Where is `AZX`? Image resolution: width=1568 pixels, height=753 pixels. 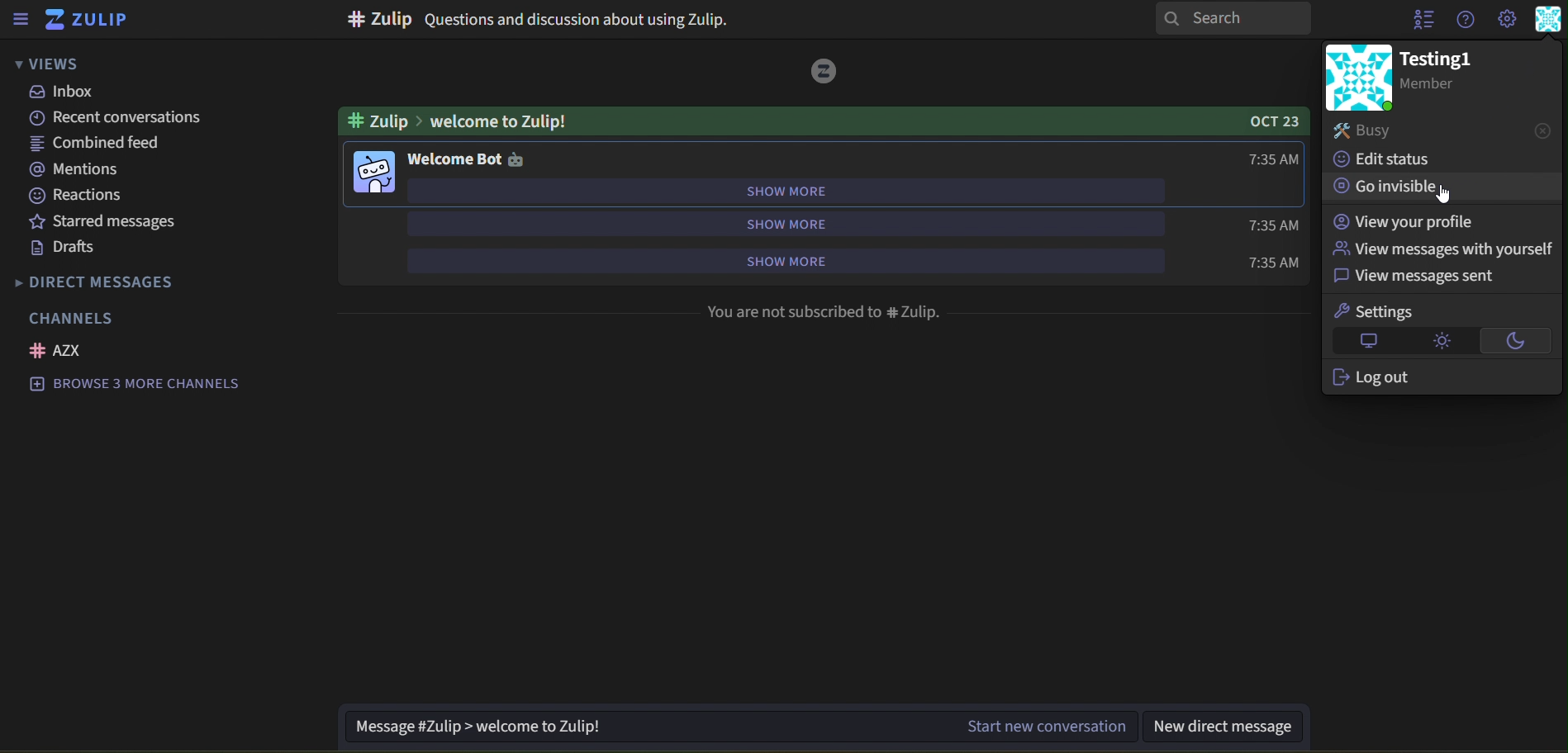 AZX is located at coordinates (59, 351).